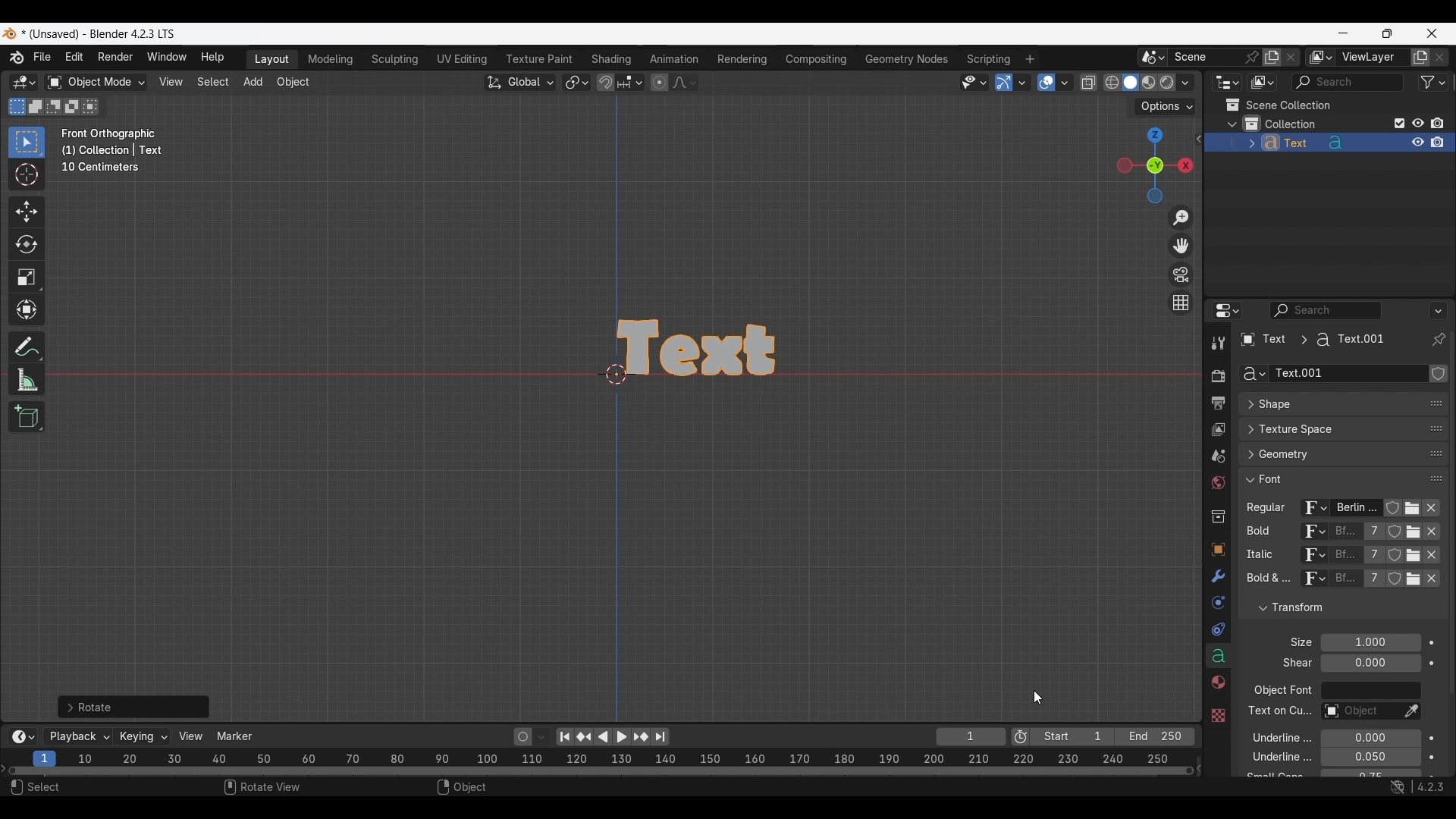  What do you see at coordinates (613, 59) in the screenshot?
I see `Shading workspace ` at bounding box center [613, 59].